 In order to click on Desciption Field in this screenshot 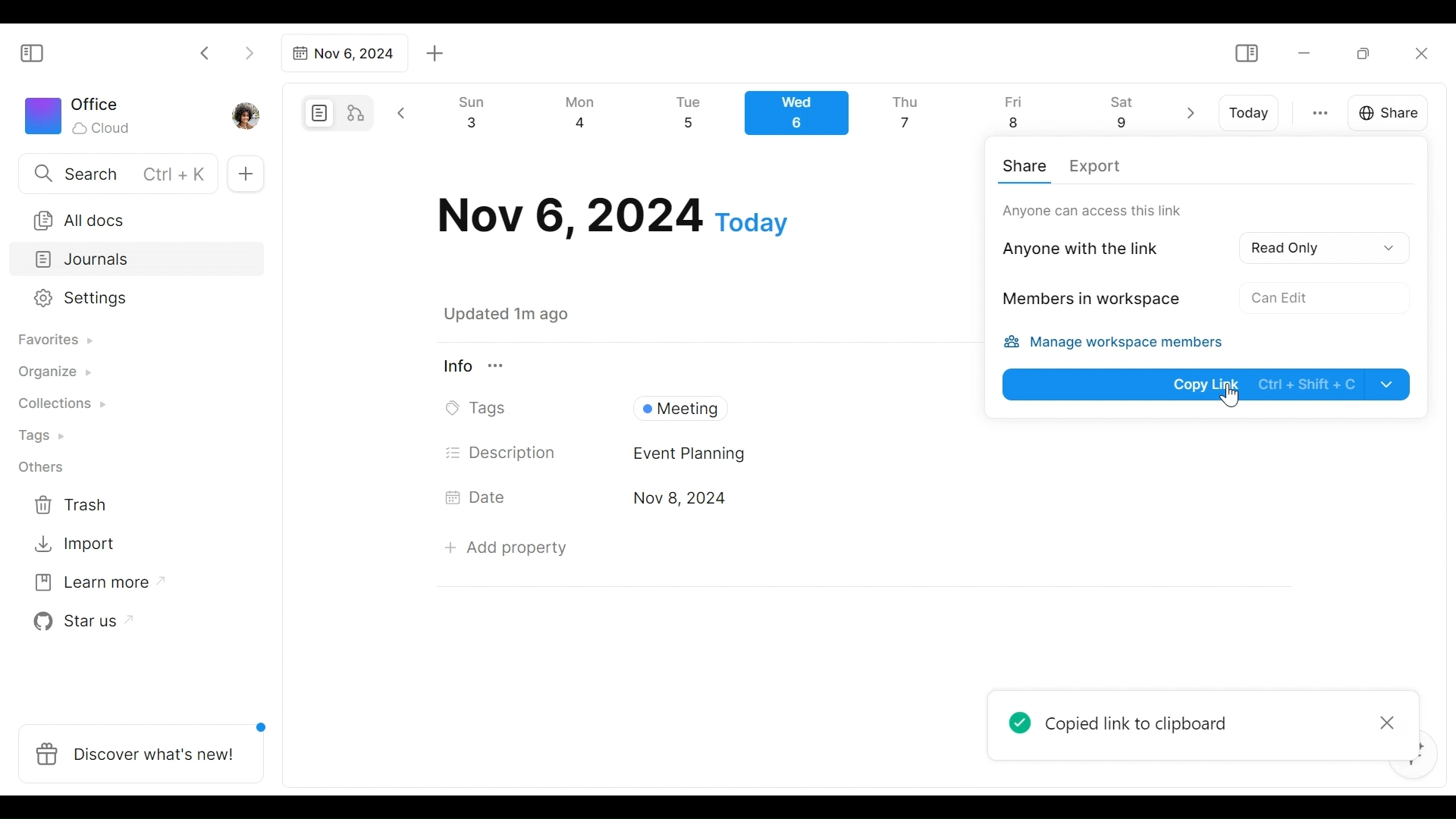, I will do `click(959, 453)`.